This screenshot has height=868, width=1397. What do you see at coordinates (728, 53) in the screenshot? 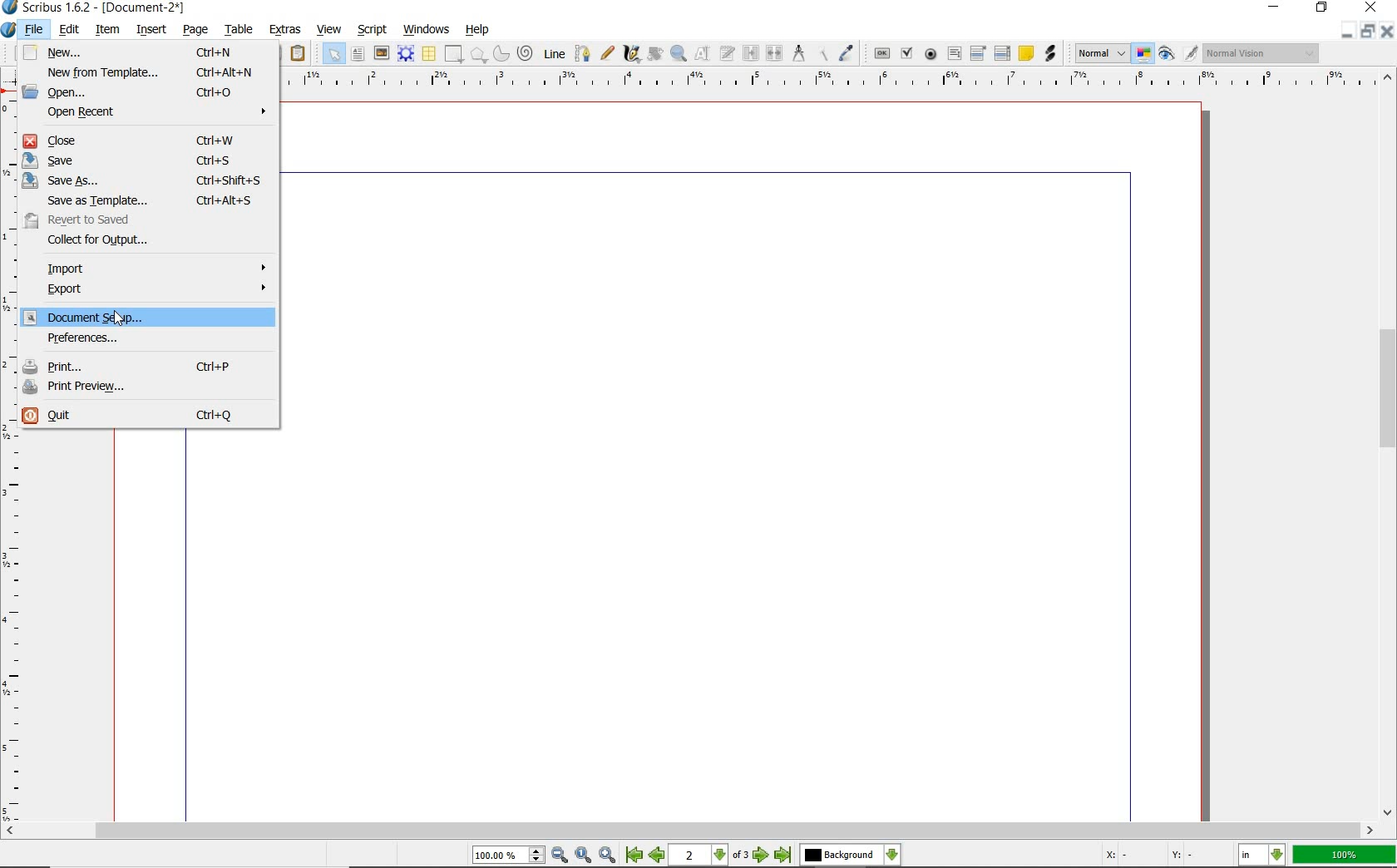
I see `edit text with story editor` at bounding box center [728, 53].